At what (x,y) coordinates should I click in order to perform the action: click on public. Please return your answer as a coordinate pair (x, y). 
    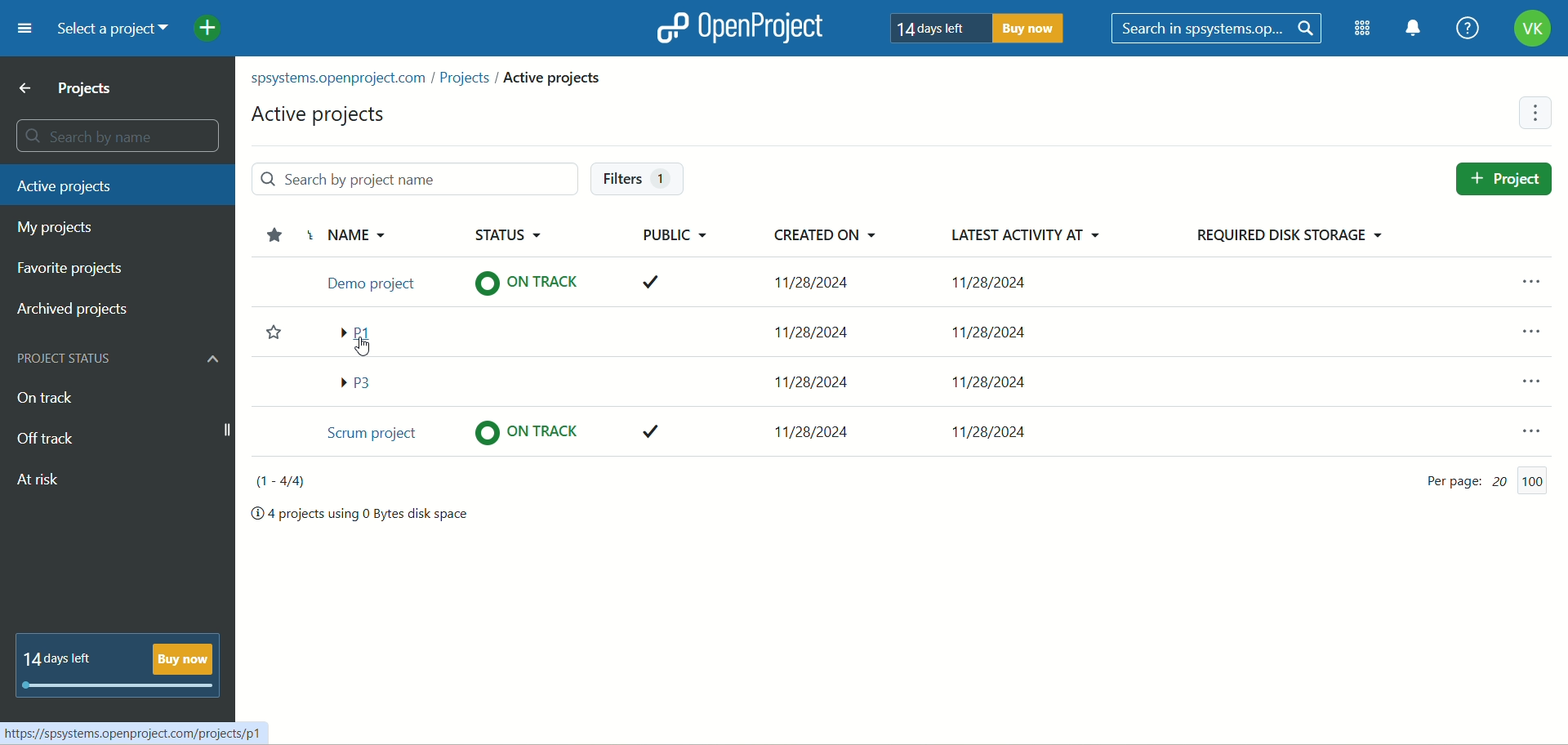
    Looking at the image, I should click on (670, 235).